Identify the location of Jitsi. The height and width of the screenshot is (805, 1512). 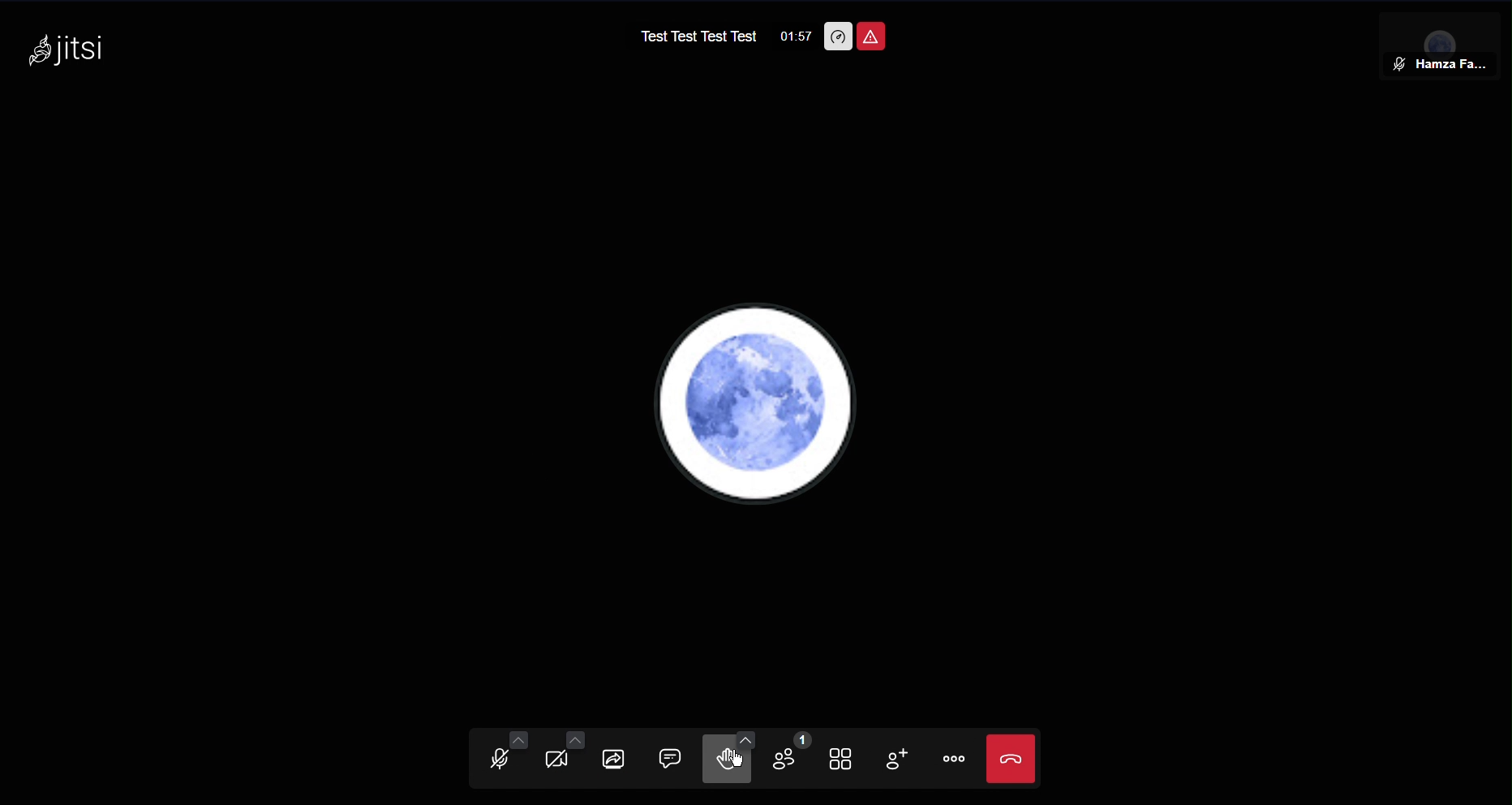
(64, 46).